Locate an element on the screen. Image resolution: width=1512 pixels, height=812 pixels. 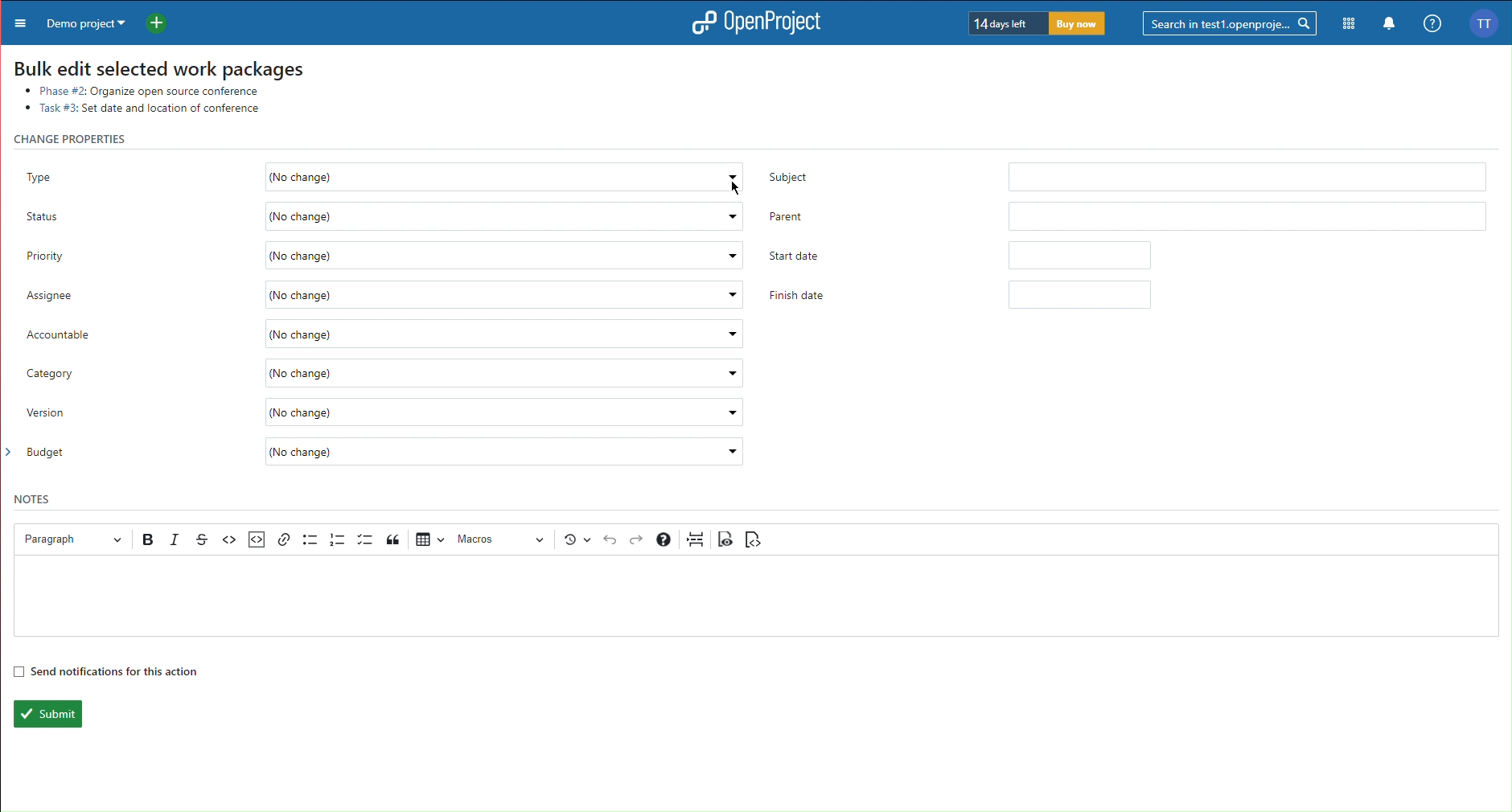
Budget is located at coordinates (384, 453).